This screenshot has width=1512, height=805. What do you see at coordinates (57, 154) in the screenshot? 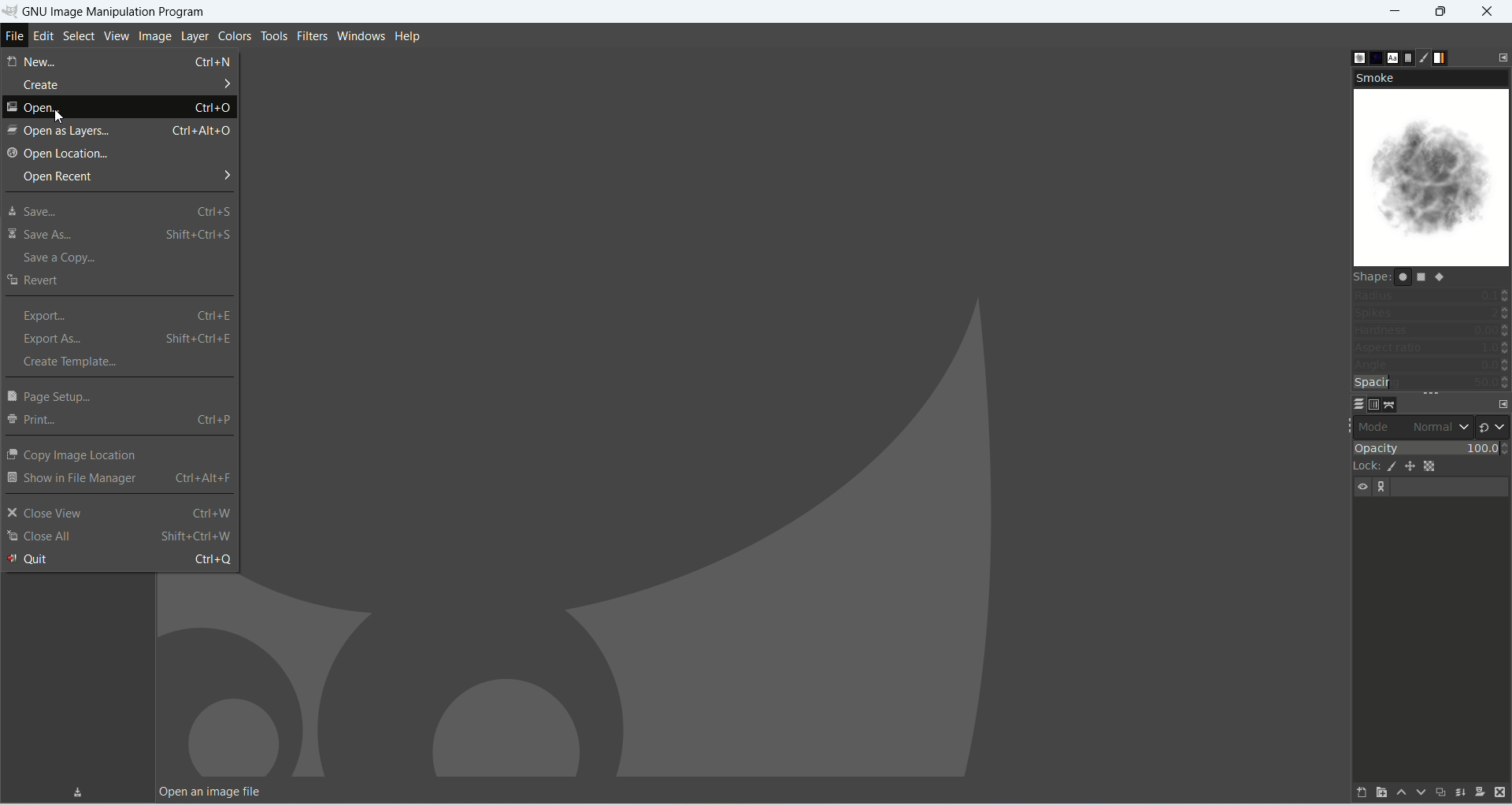
I see `open location` at bounding box center [57, 154].